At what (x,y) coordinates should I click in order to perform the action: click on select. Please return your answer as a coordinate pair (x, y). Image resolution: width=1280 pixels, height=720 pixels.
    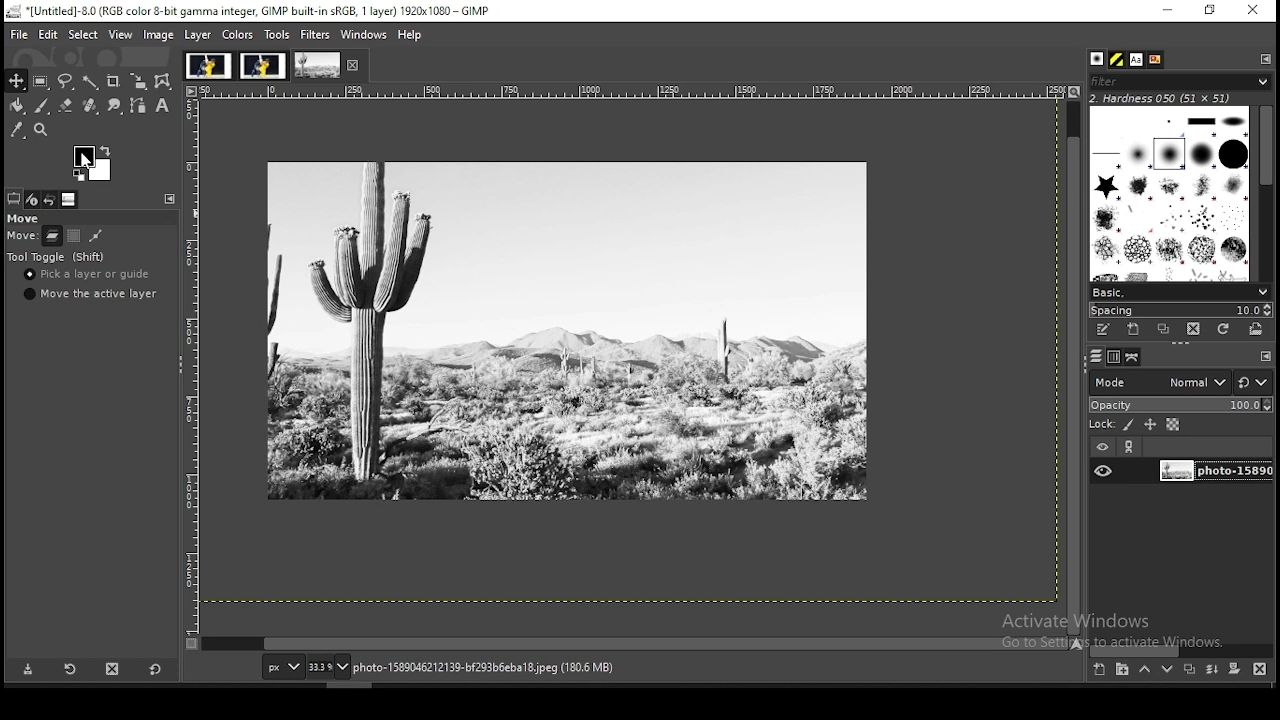
    Looking at the image, I should click on (84, 35).